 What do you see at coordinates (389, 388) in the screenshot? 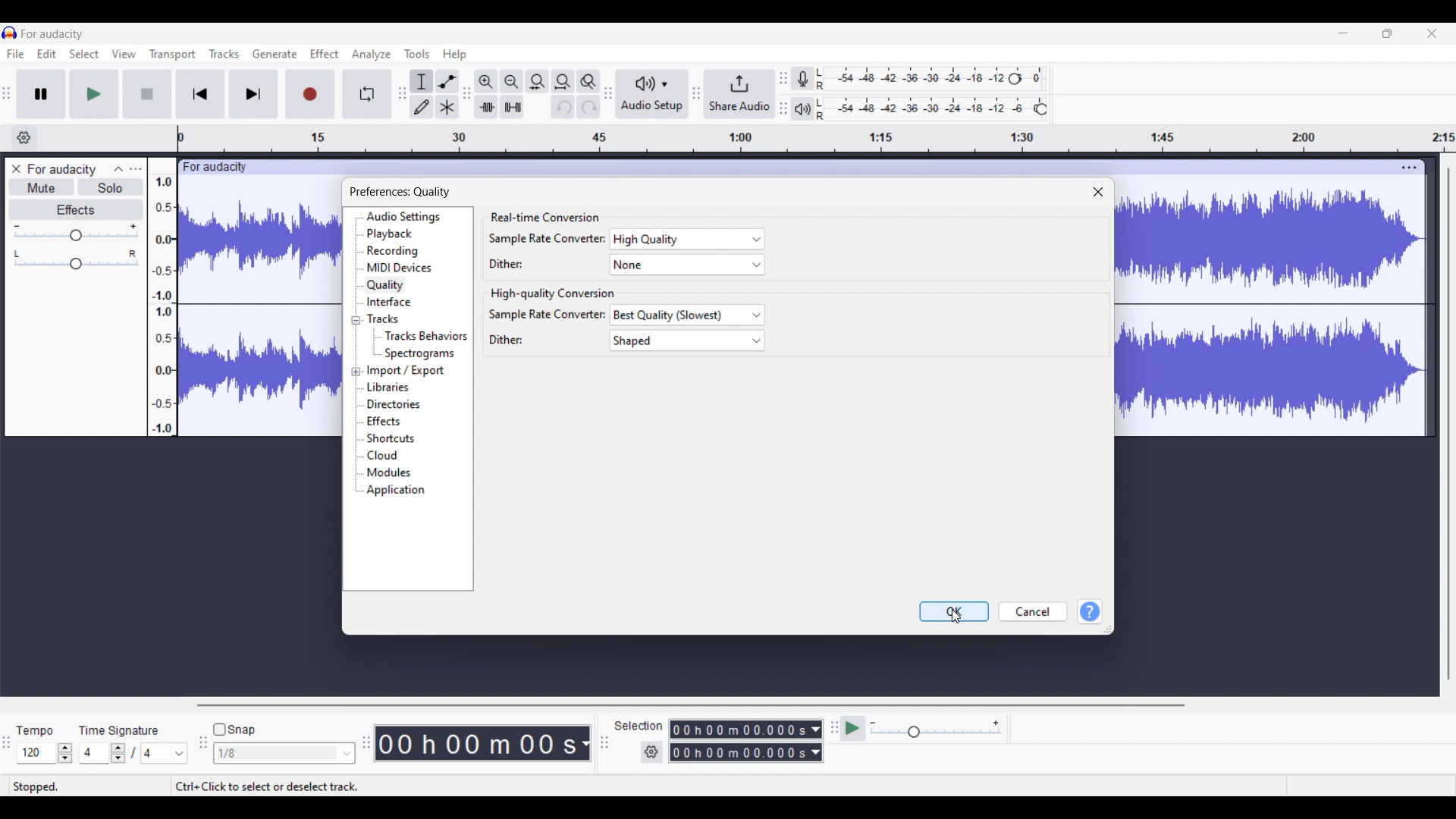
I see `Libraries` at bounding box center [389, 388].